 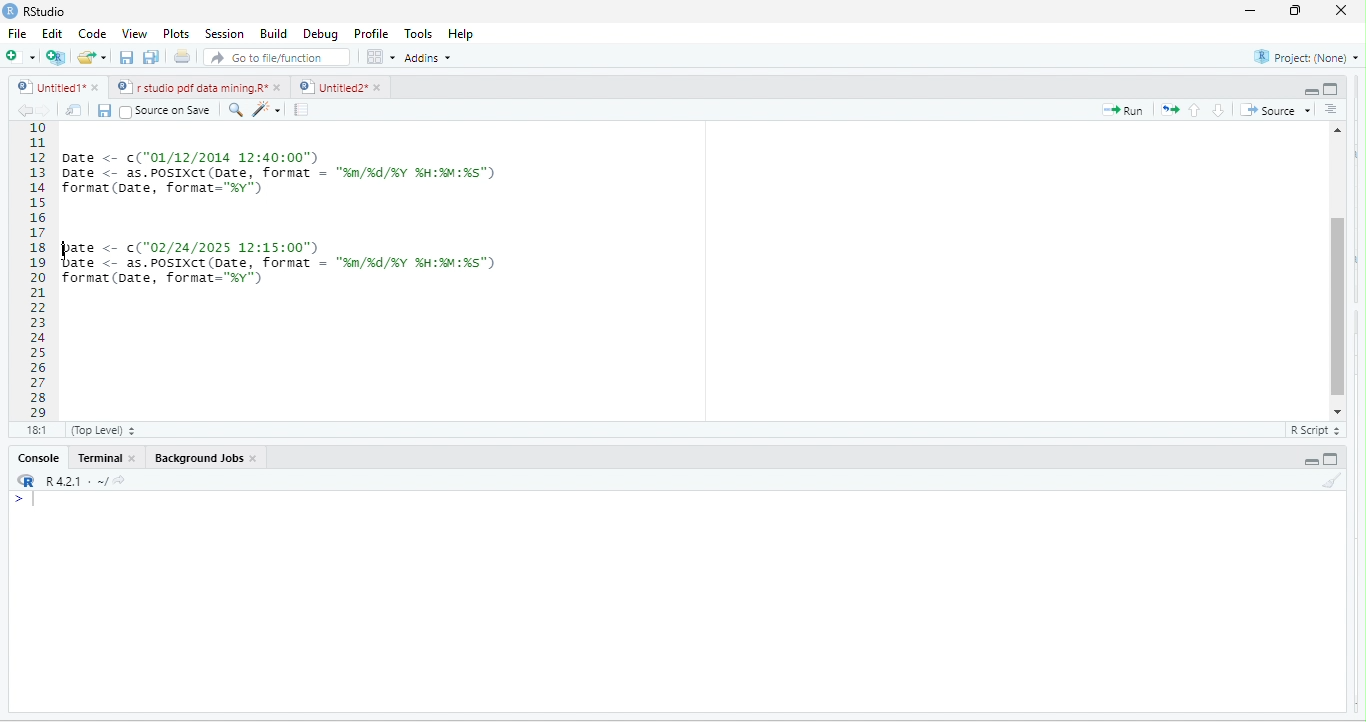 What do you see at coordinates (399, 171) in the screenshot?
I see `Date <- ("01/12/2014 12:40:00")

Date <- as.POSIXCT (Date, format = "%m/%d/XY XH:%M:%s")
format (pate, format="%v")

| 1` at bounding box center [399, 171].